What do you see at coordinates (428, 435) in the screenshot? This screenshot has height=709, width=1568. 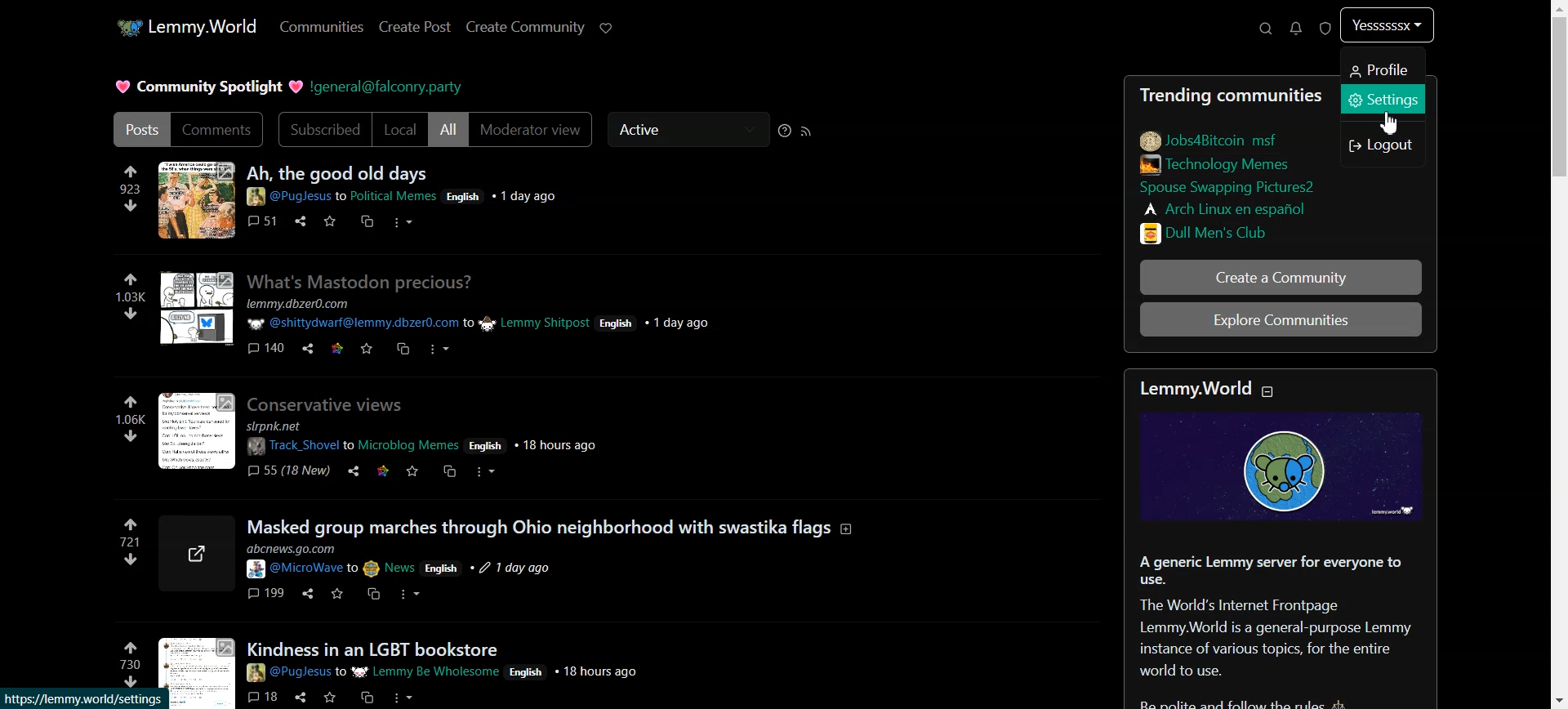 I see `post details` at bounding box center [428, 435].